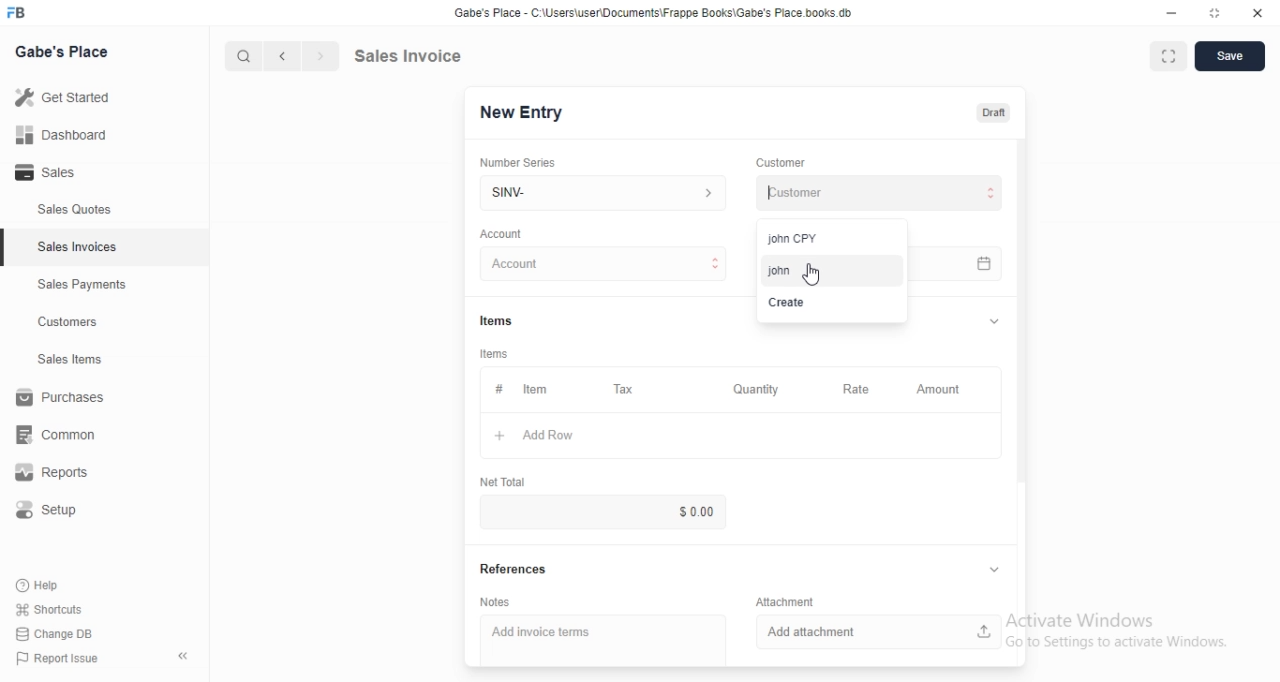  What do you see at coordinates (64, 210) in the screenshot?
I see `Sales Quotes` at bounding box center [64, 210].